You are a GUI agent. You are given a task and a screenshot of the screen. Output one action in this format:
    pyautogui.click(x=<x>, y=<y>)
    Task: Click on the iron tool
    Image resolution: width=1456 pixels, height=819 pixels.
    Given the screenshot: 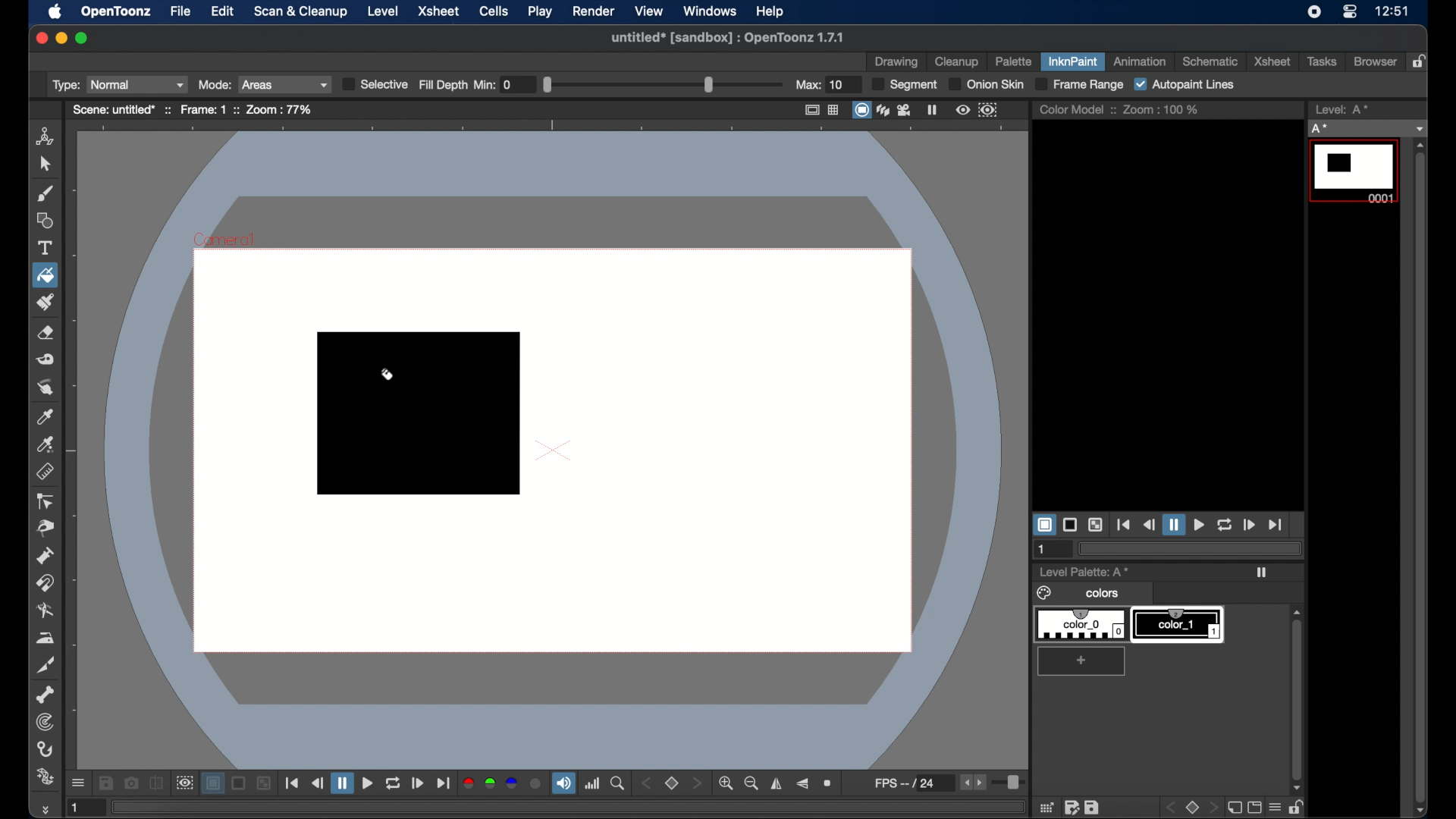 What is the action you would take?
    pyautogui.click(x=45, y=639)
    